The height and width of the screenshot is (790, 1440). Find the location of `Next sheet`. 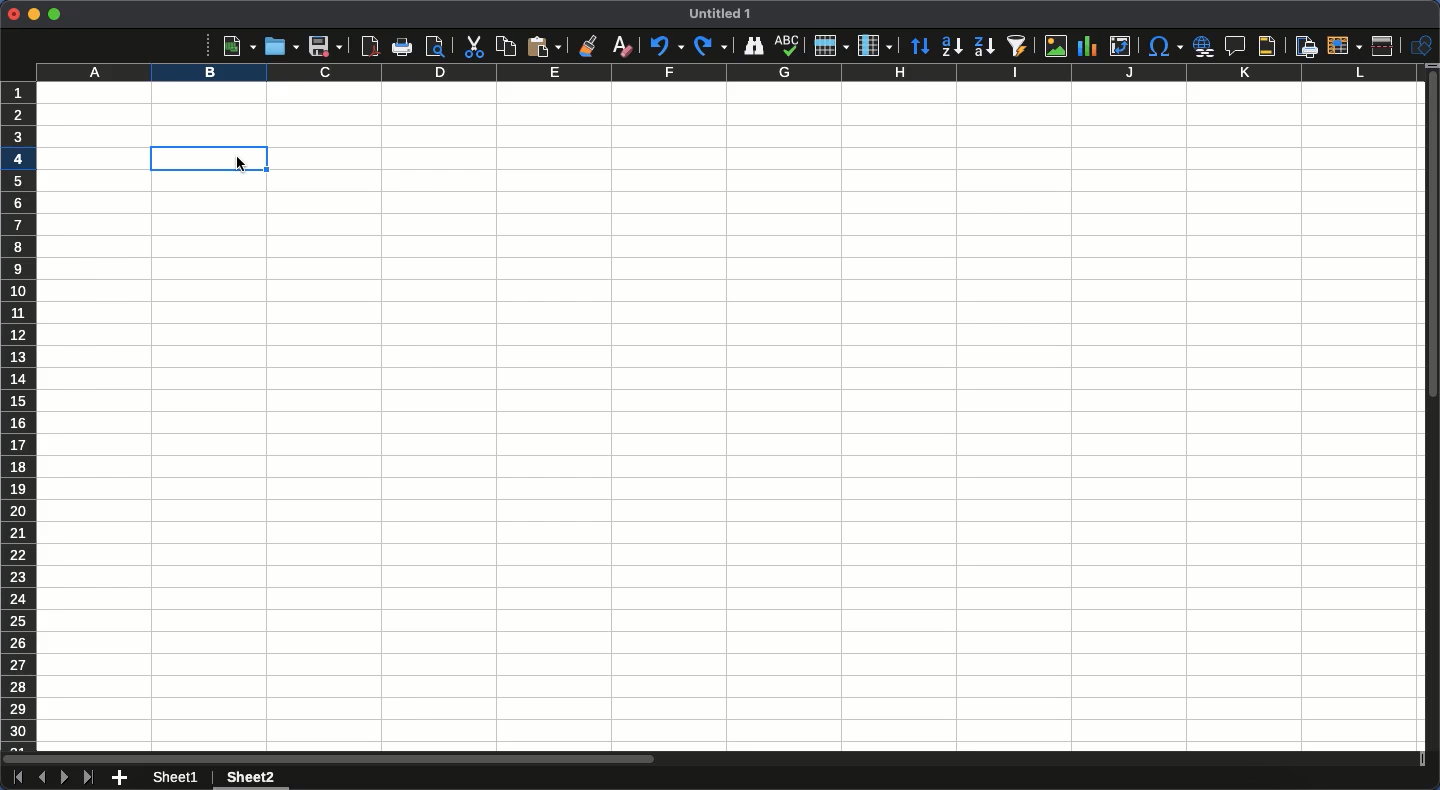

Next sheet is located at coordinates (65, 778).